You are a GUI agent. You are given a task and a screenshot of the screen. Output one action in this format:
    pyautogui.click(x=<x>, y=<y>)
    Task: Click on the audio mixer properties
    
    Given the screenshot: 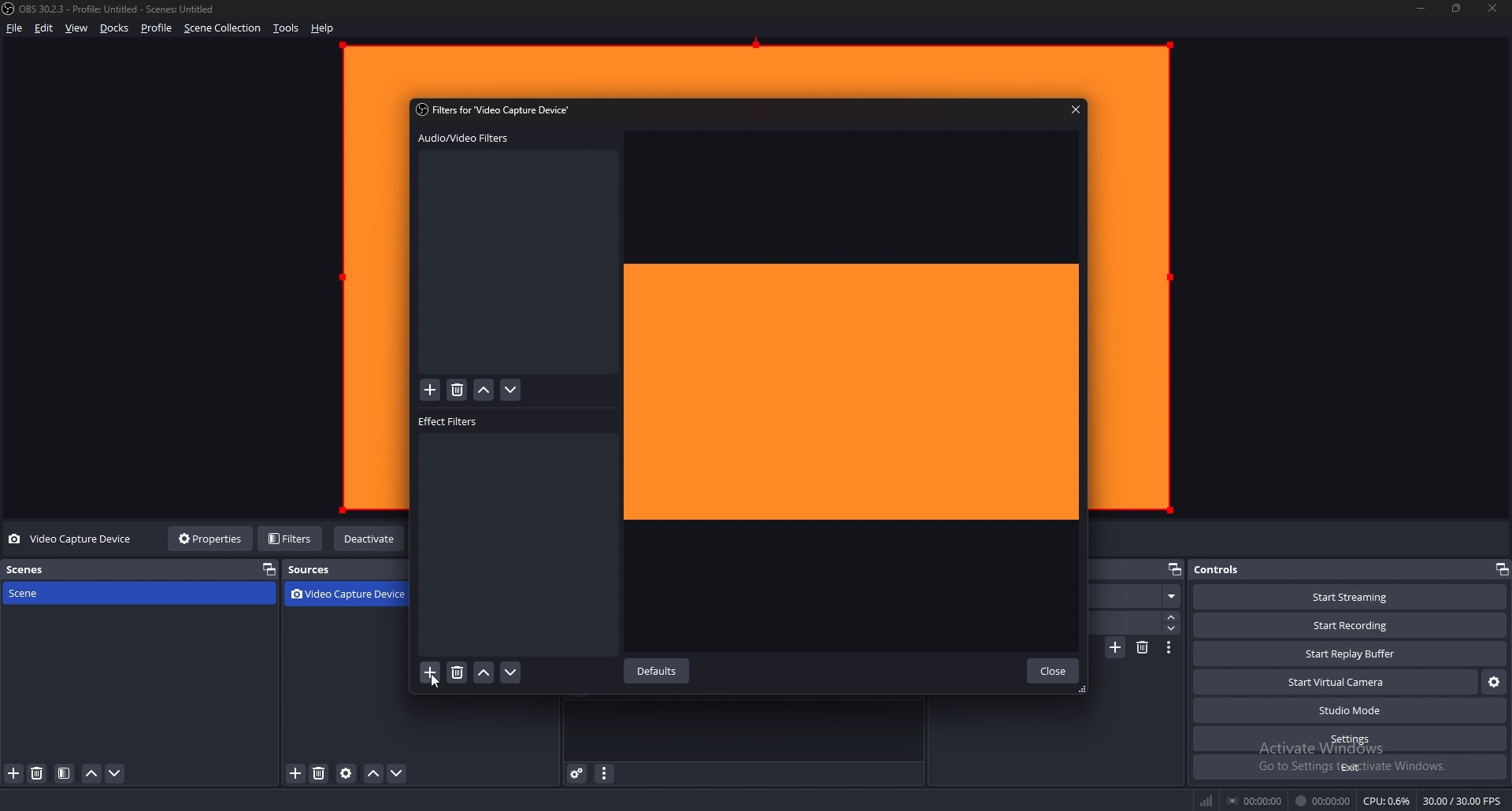 What is the action you would take?
    pyautogui.click(x=603, y=773)
    